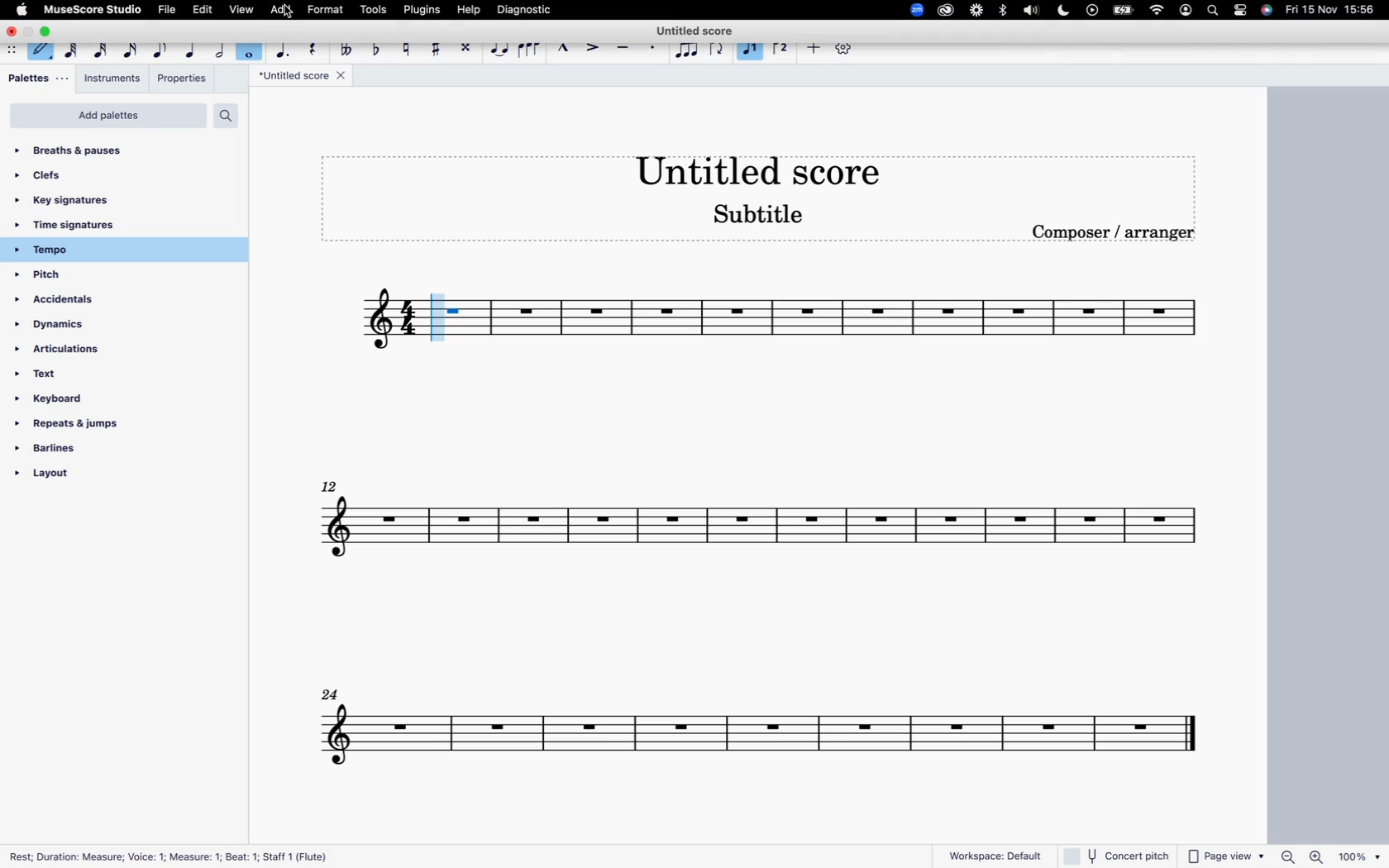  I want to click on profile, so click(1185, 12).